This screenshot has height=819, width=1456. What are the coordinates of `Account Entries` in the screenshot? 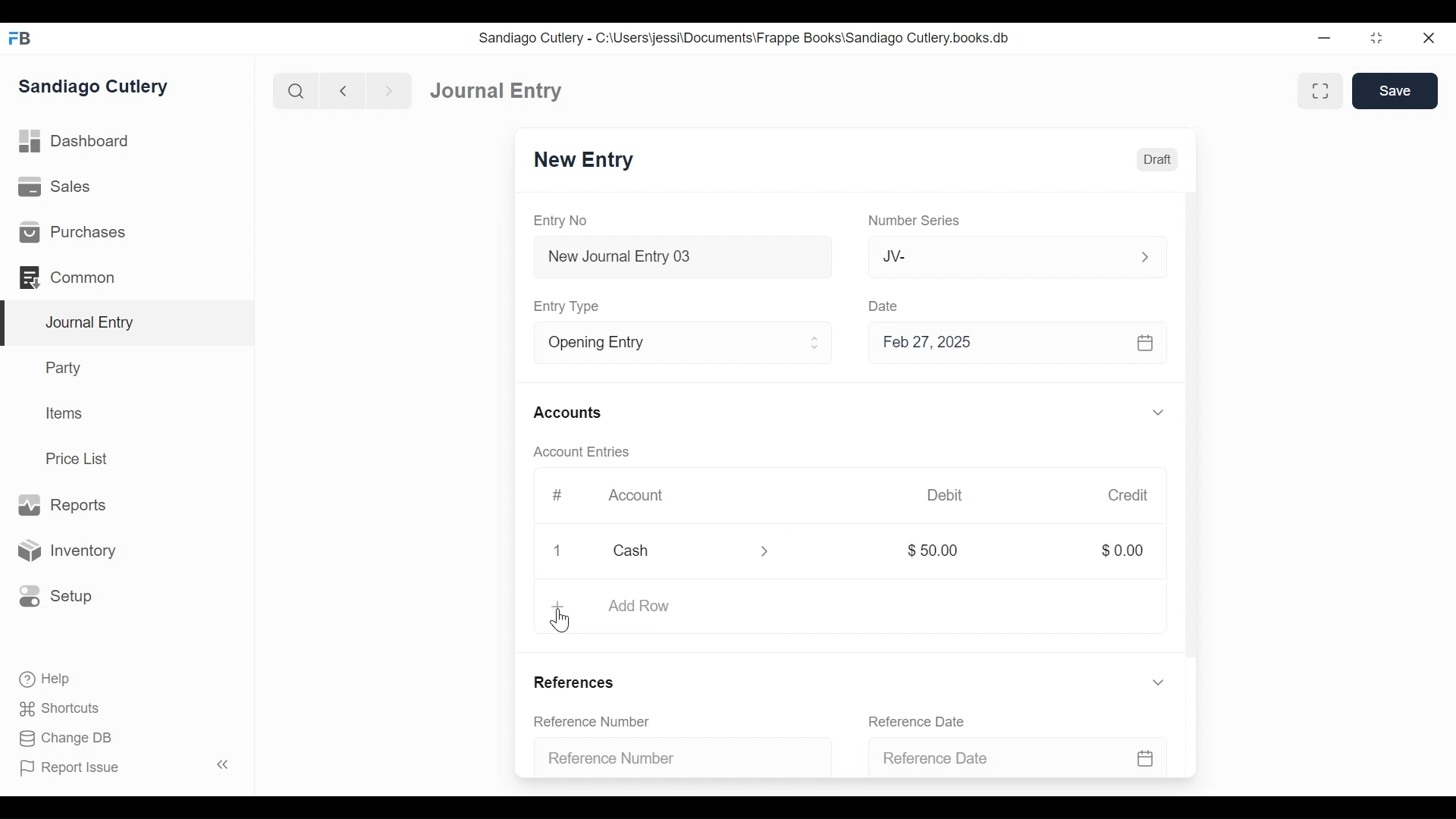 It's located at (580, 452).